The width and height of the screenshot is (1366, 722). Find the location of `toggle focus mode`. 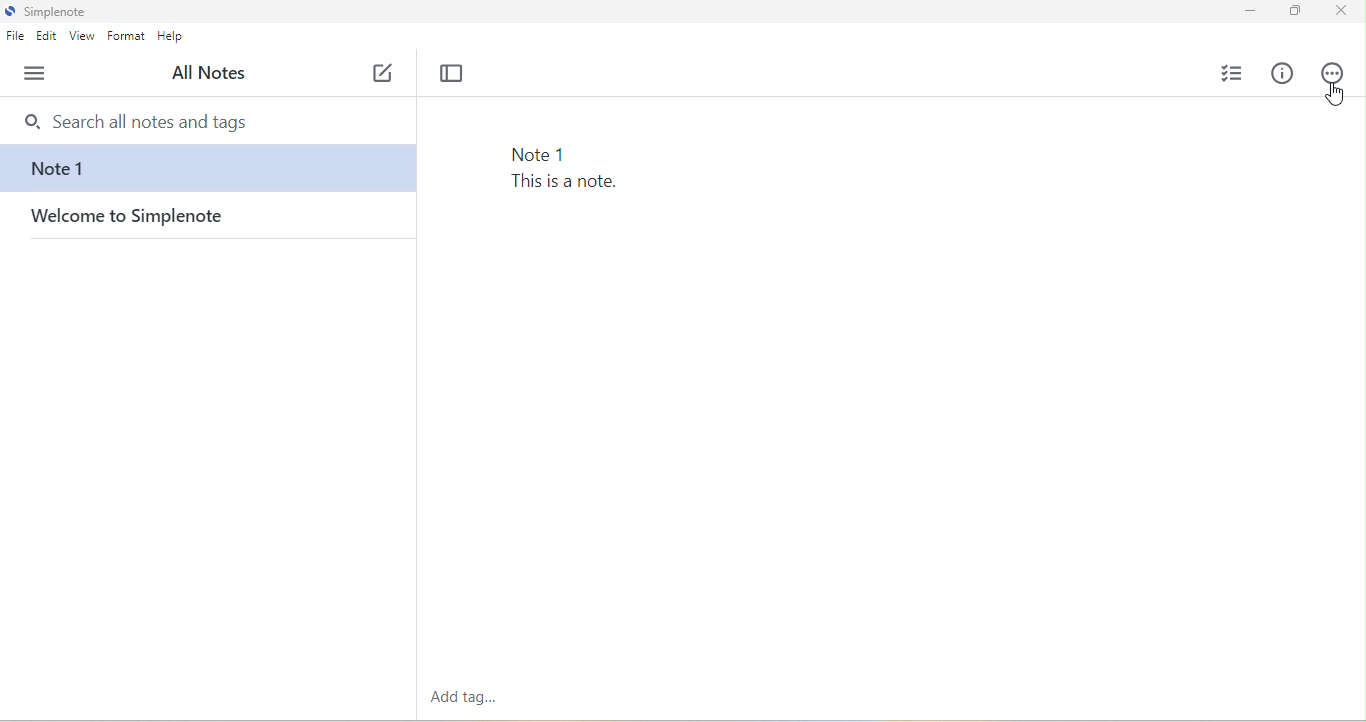

toggle focus mode is located at coordinates (452, 74).